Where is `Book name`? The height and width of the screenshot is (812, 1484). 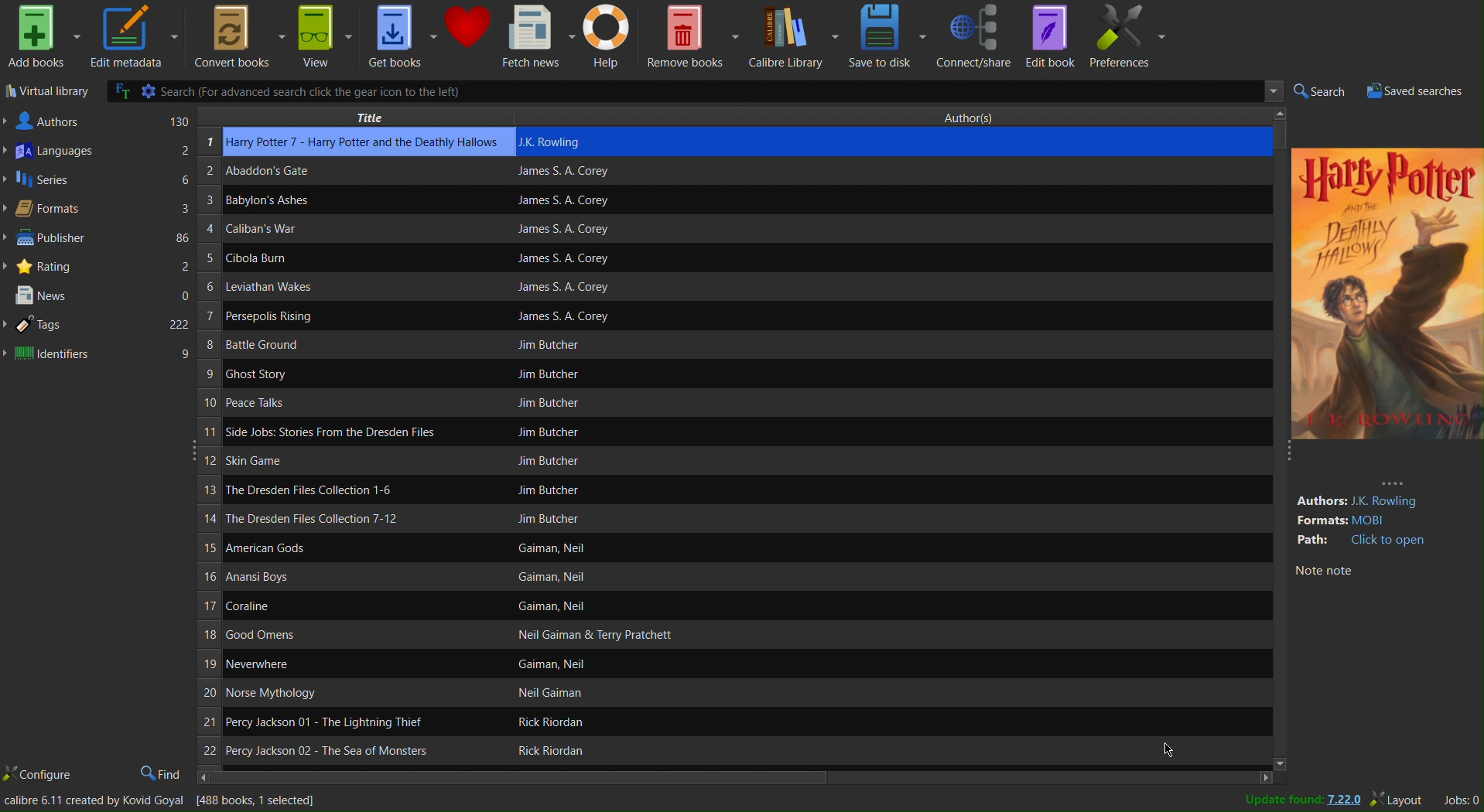
Book name is located at coordinates (303, 664).